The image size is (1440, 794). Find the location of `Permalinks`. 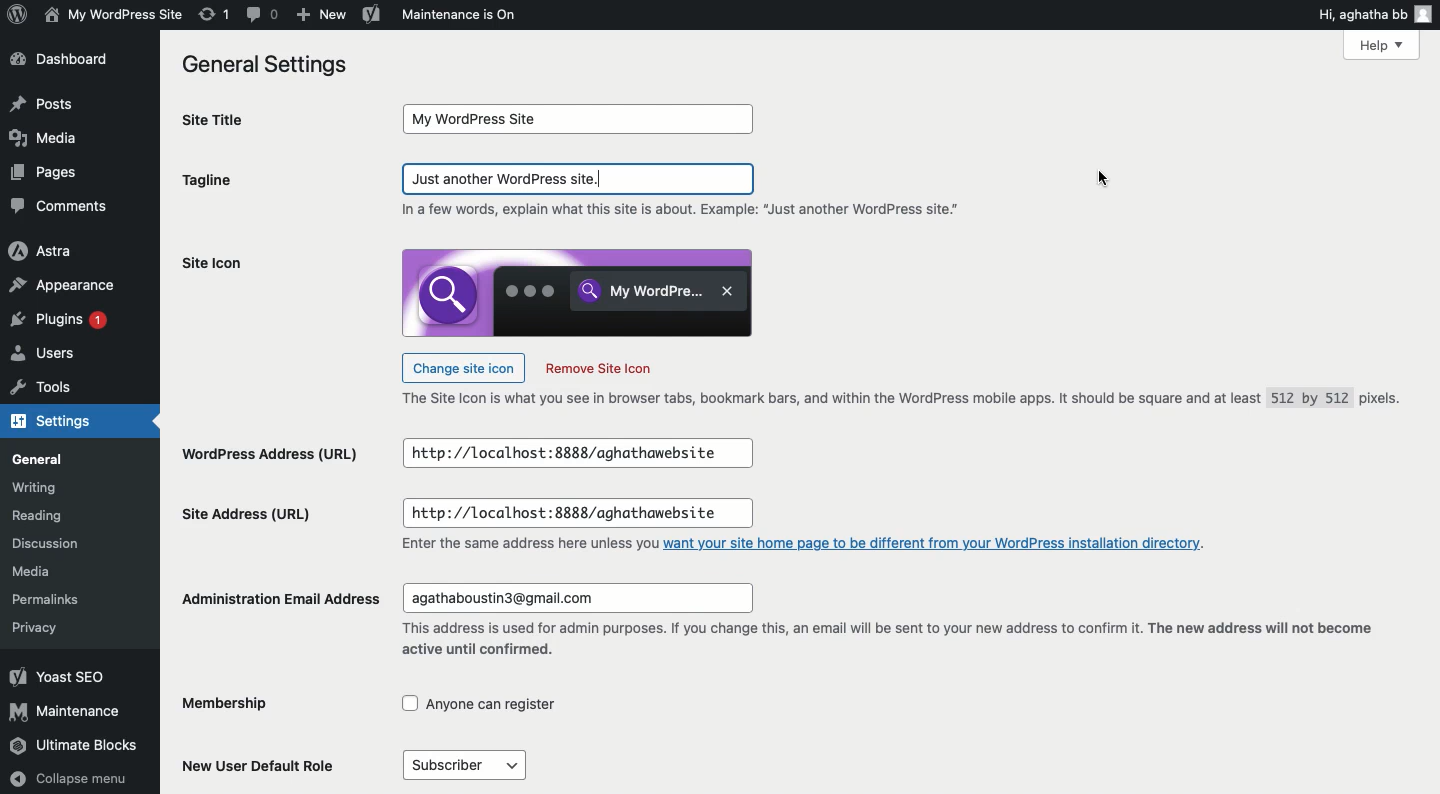

Permalinks is located at coordinates (50, 597).